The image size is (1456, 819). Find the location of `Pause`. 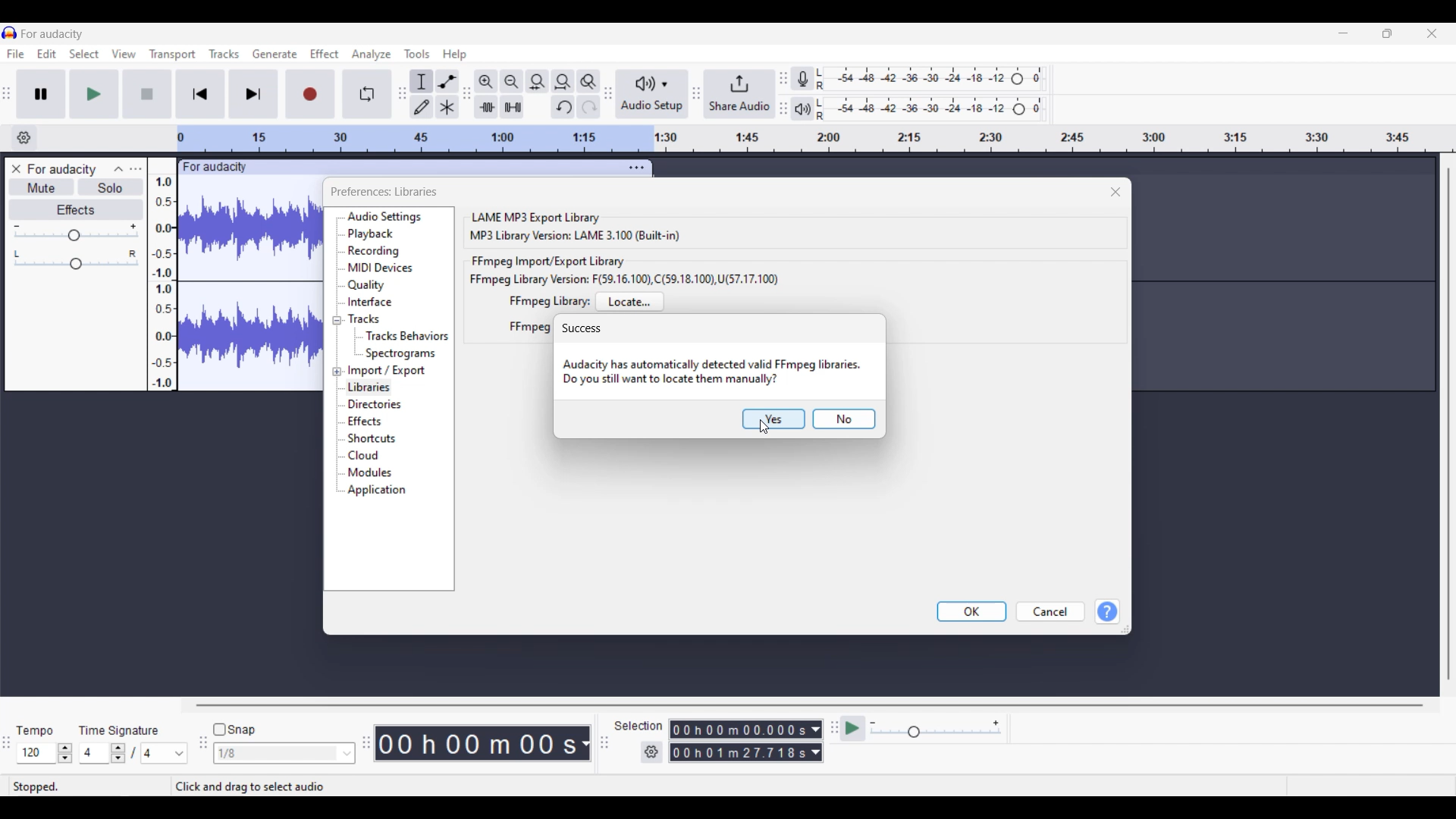

Pause is located at coordinates (41, 94).